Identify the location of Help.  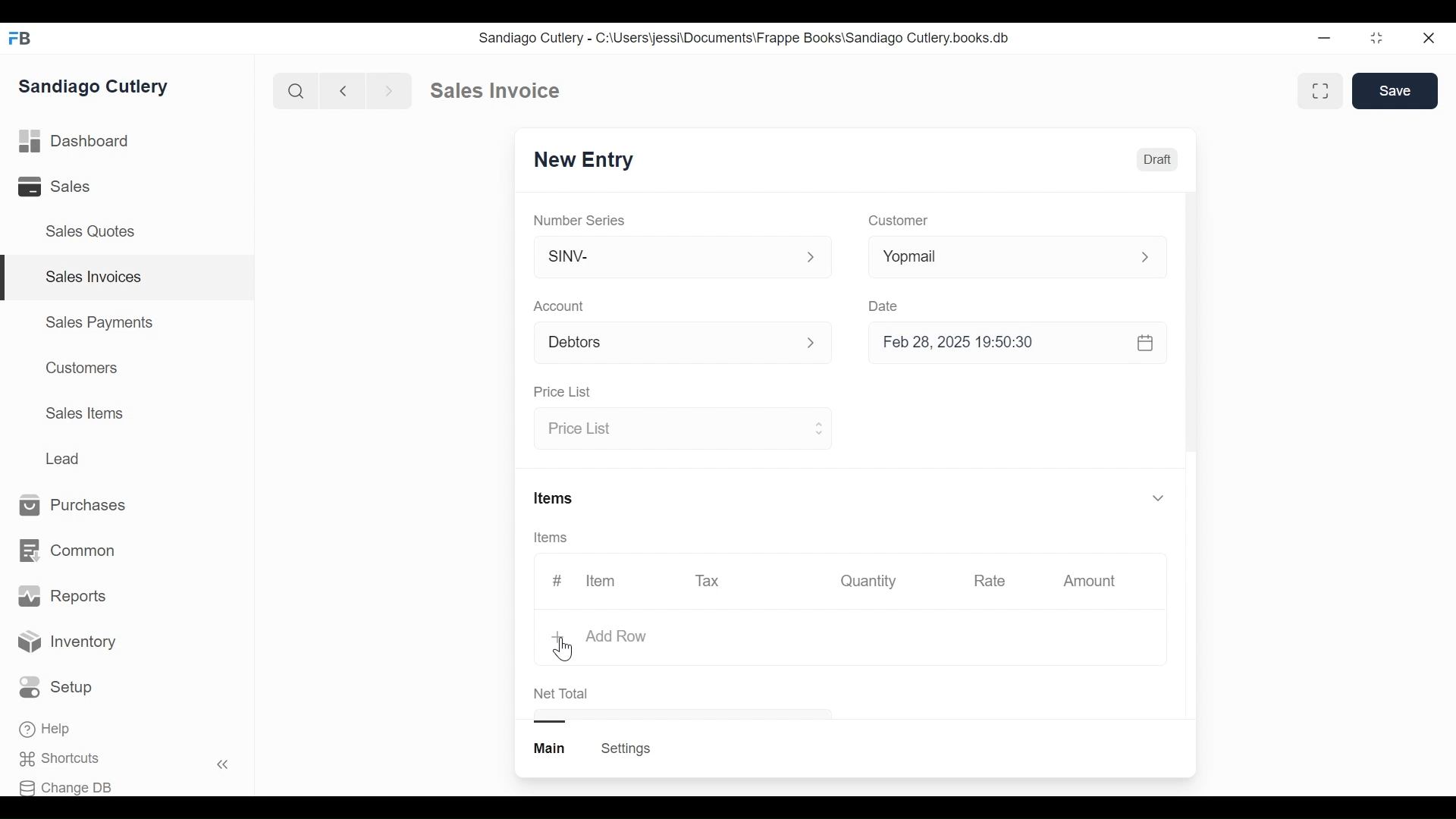
(46, 729).